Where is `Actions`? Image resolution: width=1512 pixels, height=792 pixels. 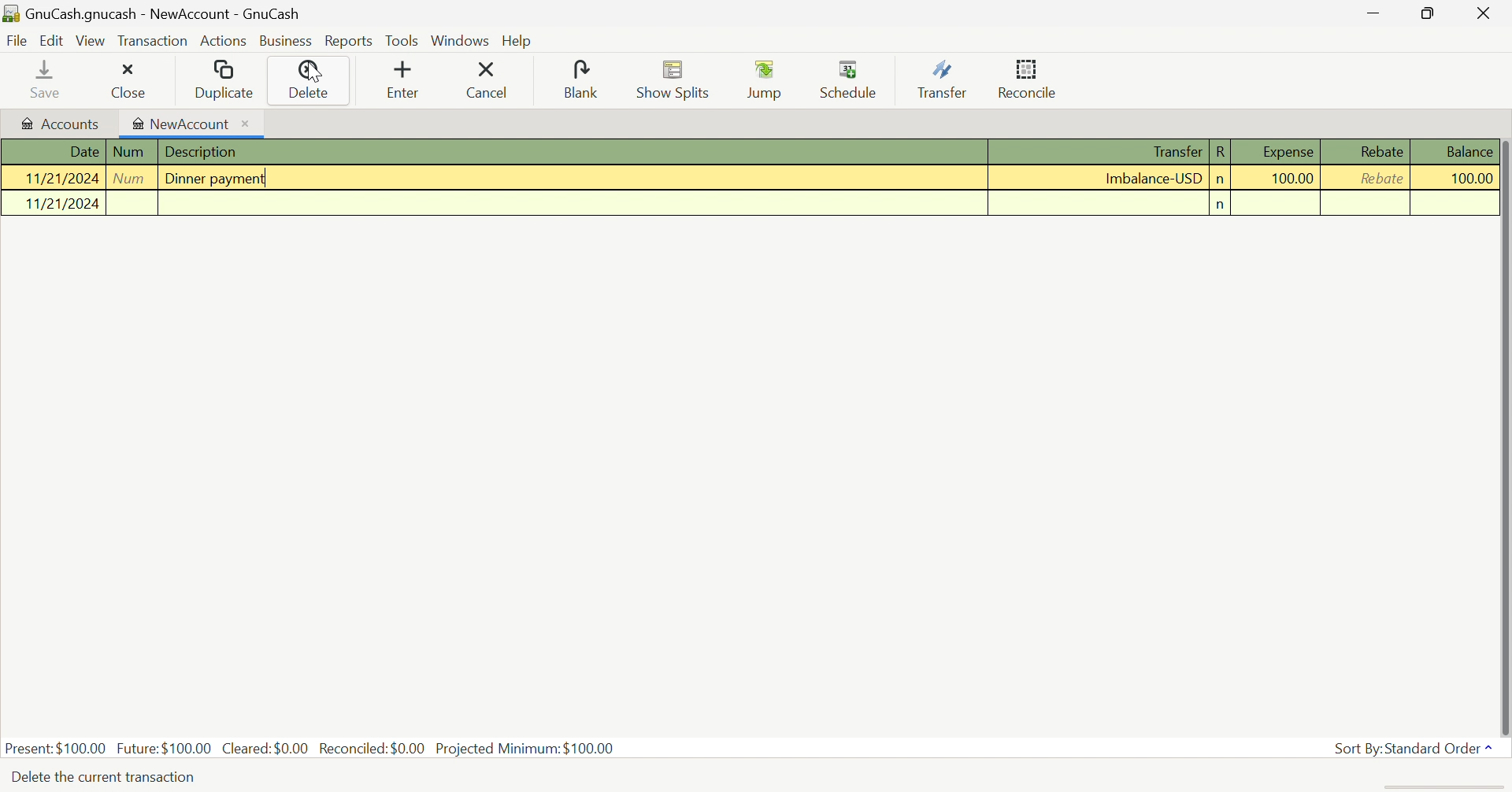 Actions is located at coordinates (224, 41).